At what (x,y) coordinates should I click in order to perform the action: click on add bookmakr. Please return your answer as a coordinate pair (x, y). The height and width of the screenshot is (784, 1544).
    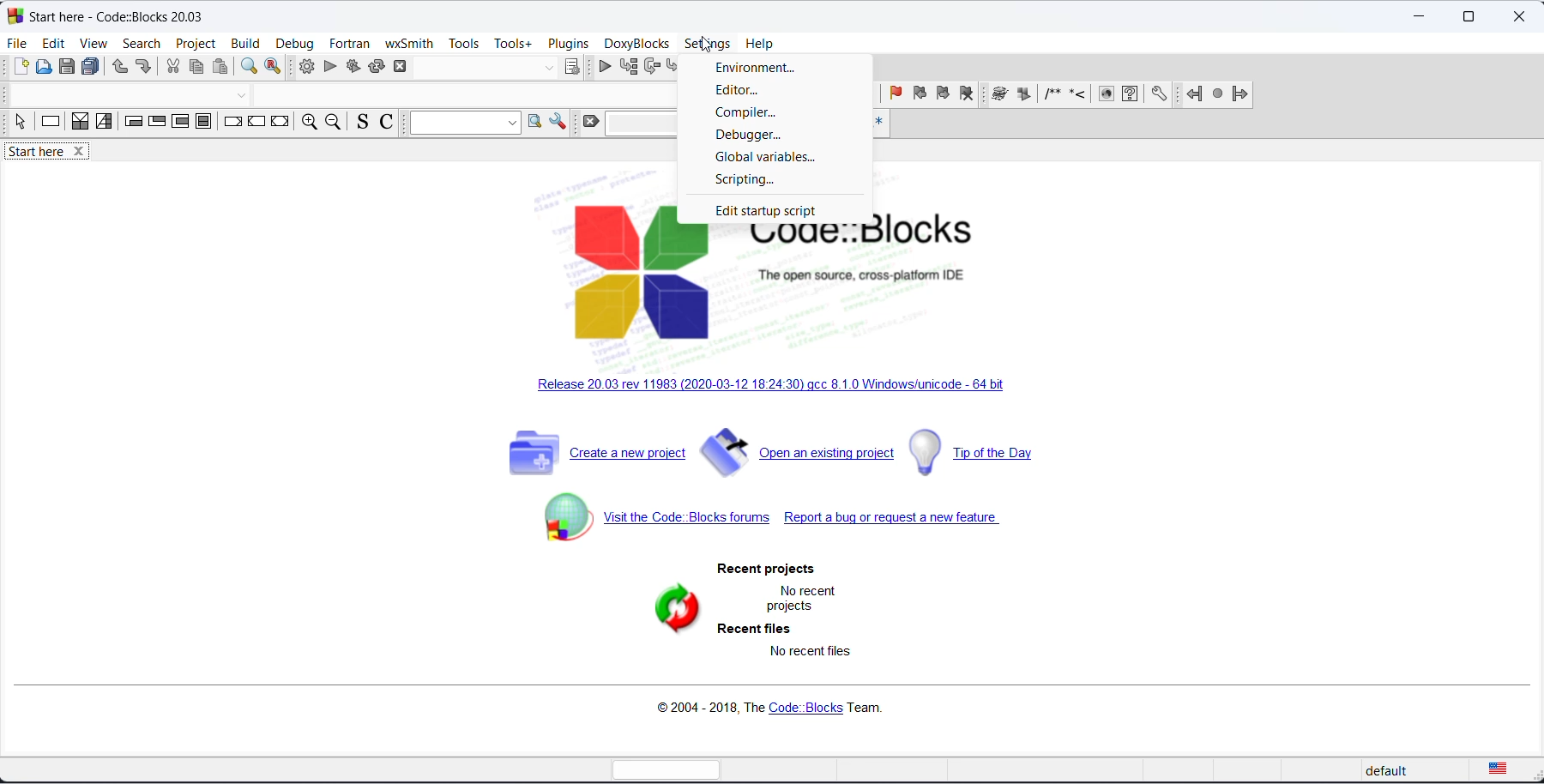
    Looking at the image, I should click on (896, 93).